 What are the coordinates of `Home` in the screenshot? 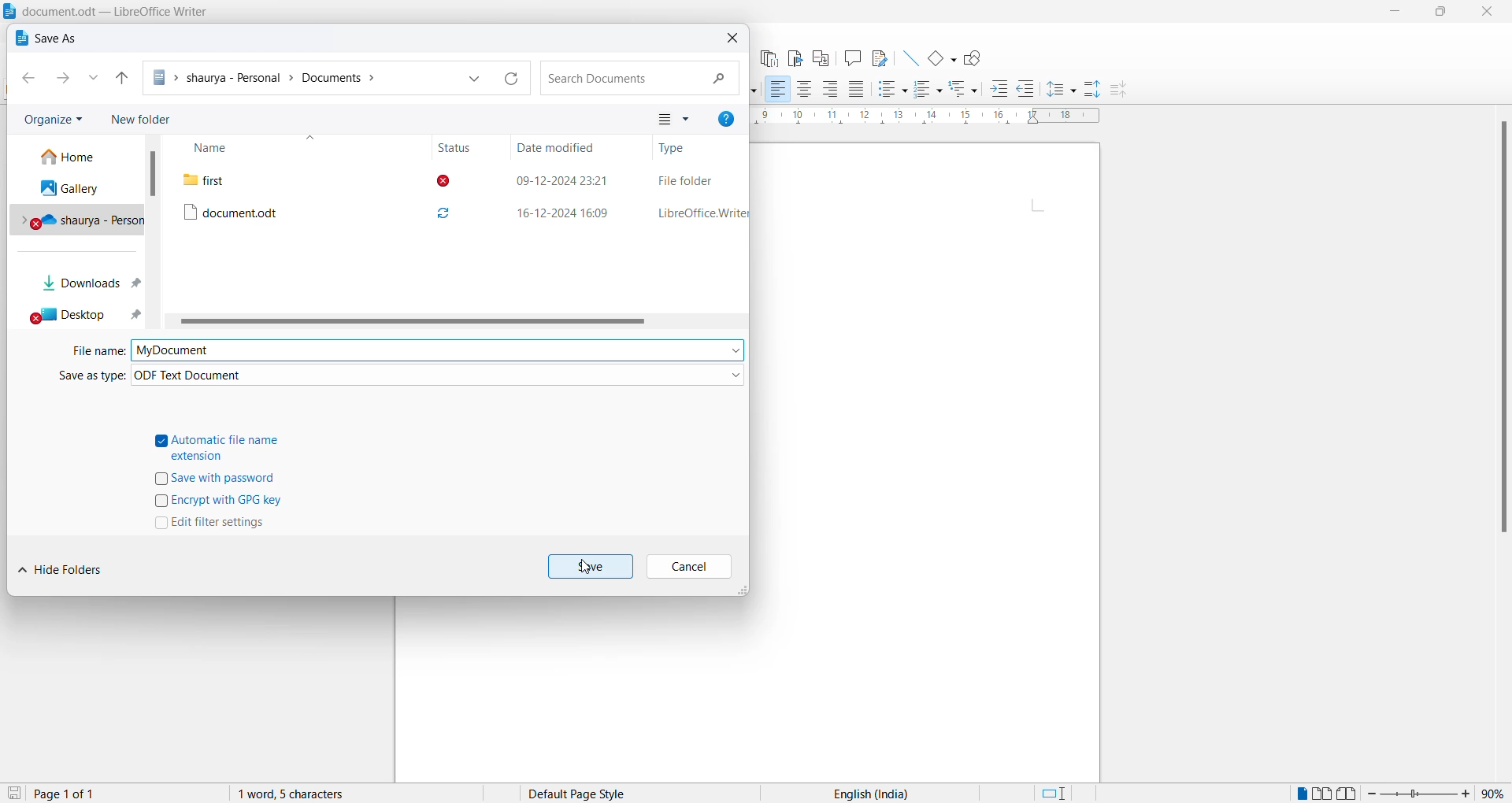 It's located at (73, 157).